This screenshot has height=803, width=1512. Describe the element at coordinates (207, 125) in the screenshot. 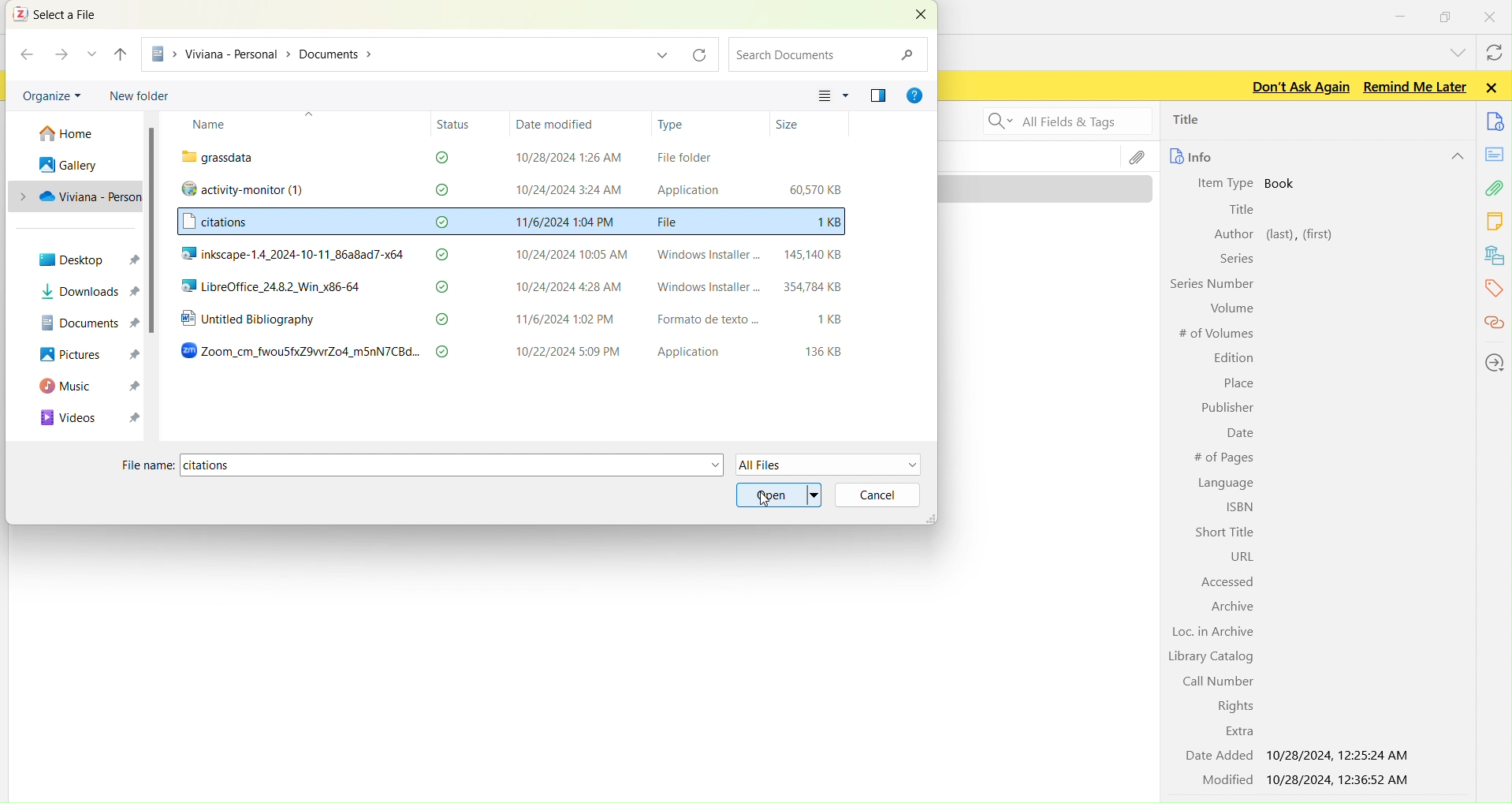

I see `Name` at that location.